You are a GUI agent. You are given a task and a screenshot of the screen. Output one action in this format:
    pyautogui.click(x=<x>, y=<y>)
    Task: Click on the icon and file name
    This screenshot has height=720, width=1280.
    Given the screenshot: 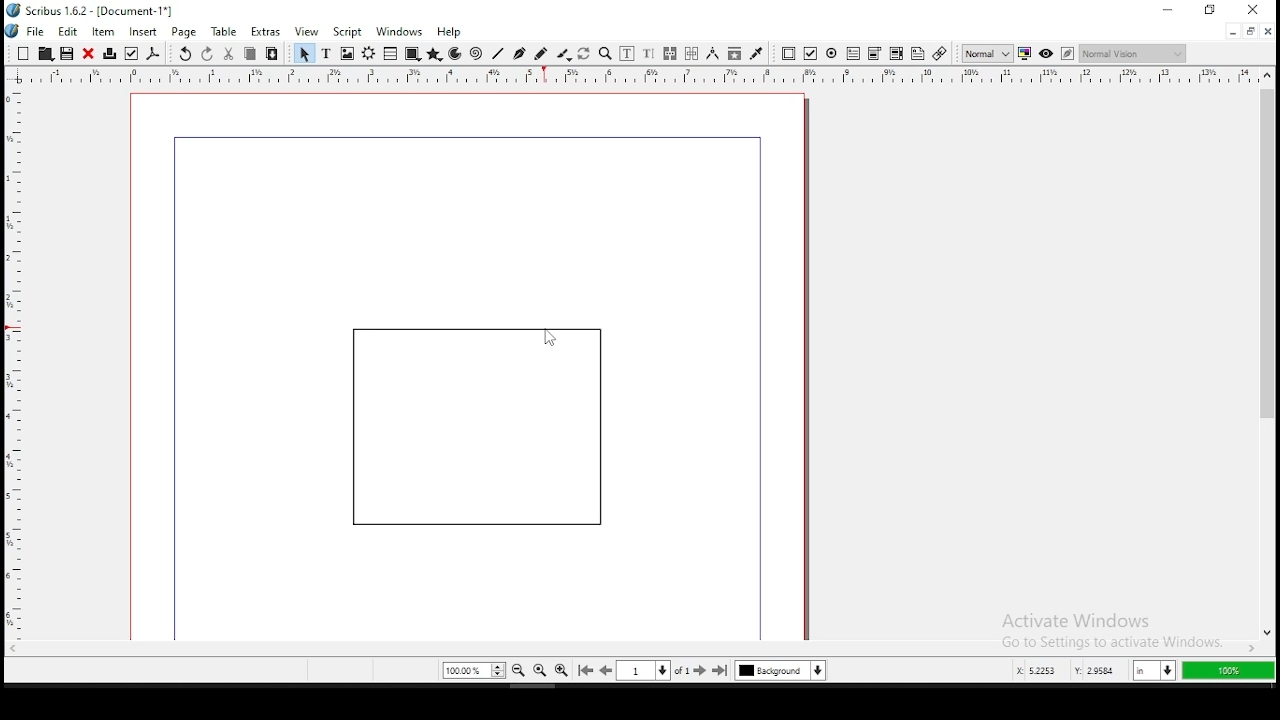 What is the action you would take?
    pyautogui.click(x=92, y=11)
    